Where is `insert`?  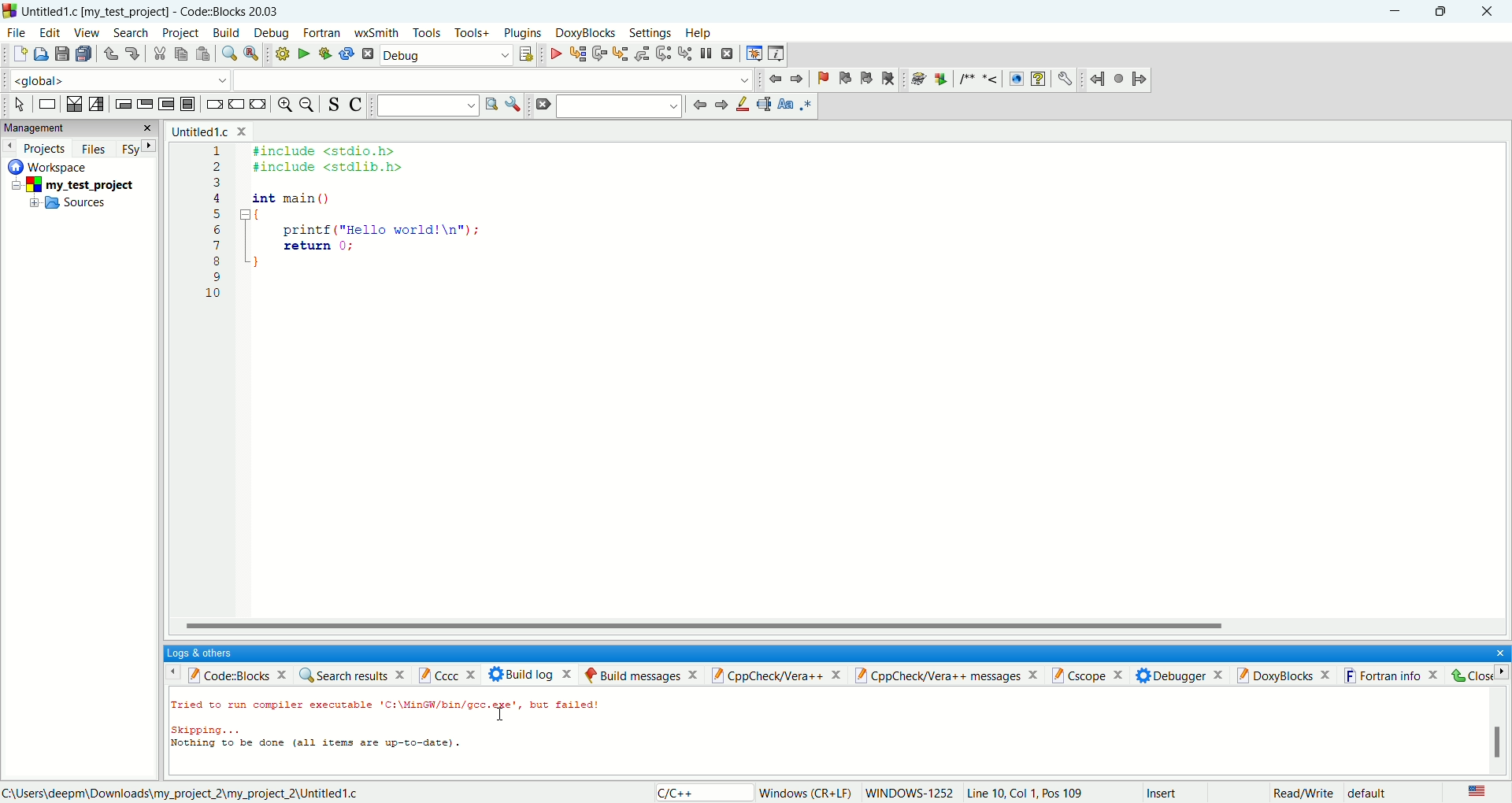 insert is located at coordinates (1161, 791).